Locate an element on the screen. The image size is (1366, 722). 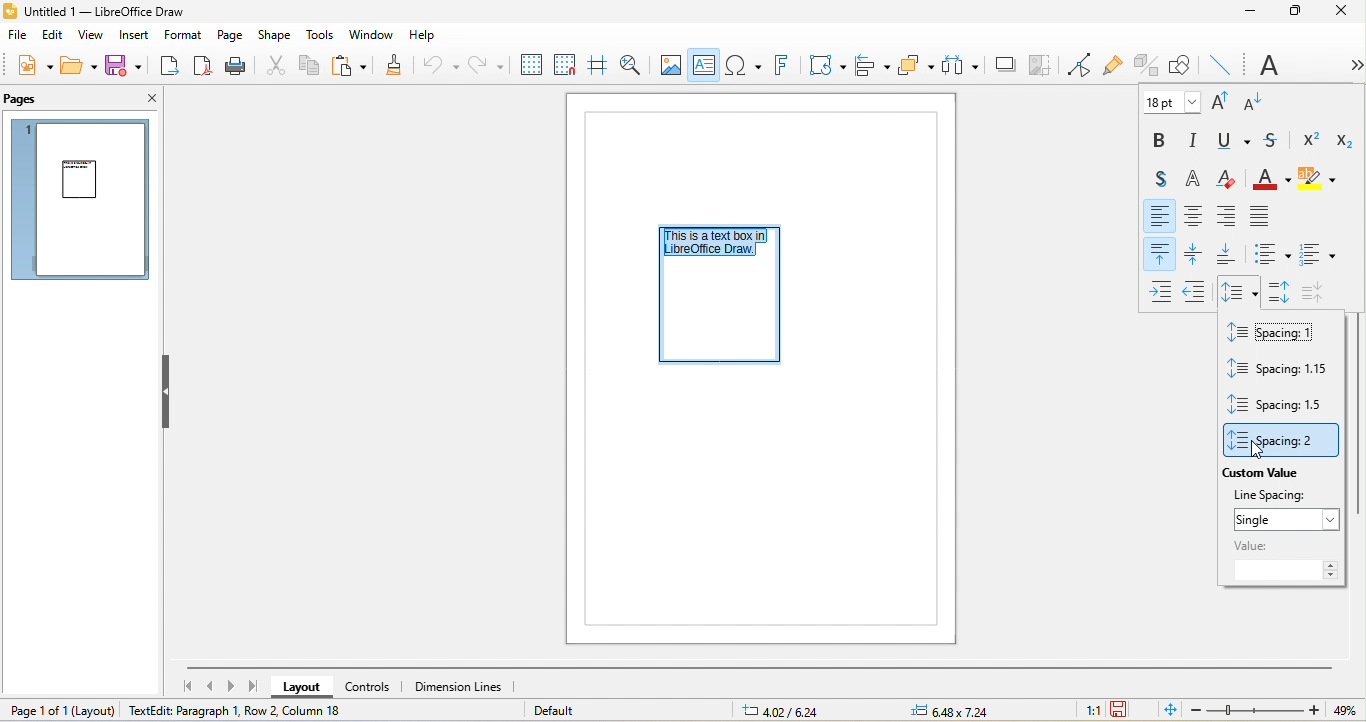
0.00x0.00 is located at coordinates (961, 711).